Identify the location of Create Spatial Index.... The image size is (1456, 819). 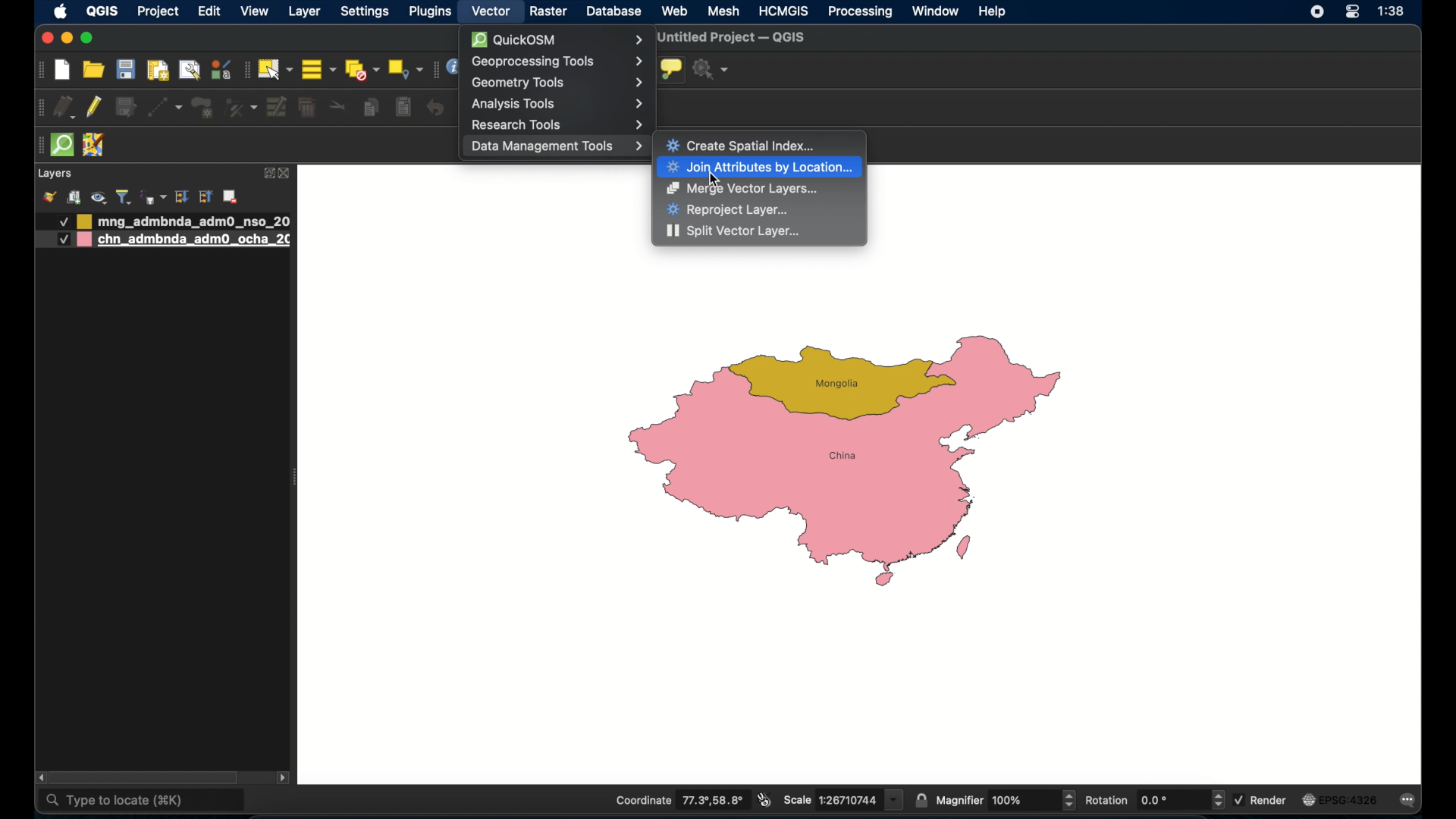
(745, 146).